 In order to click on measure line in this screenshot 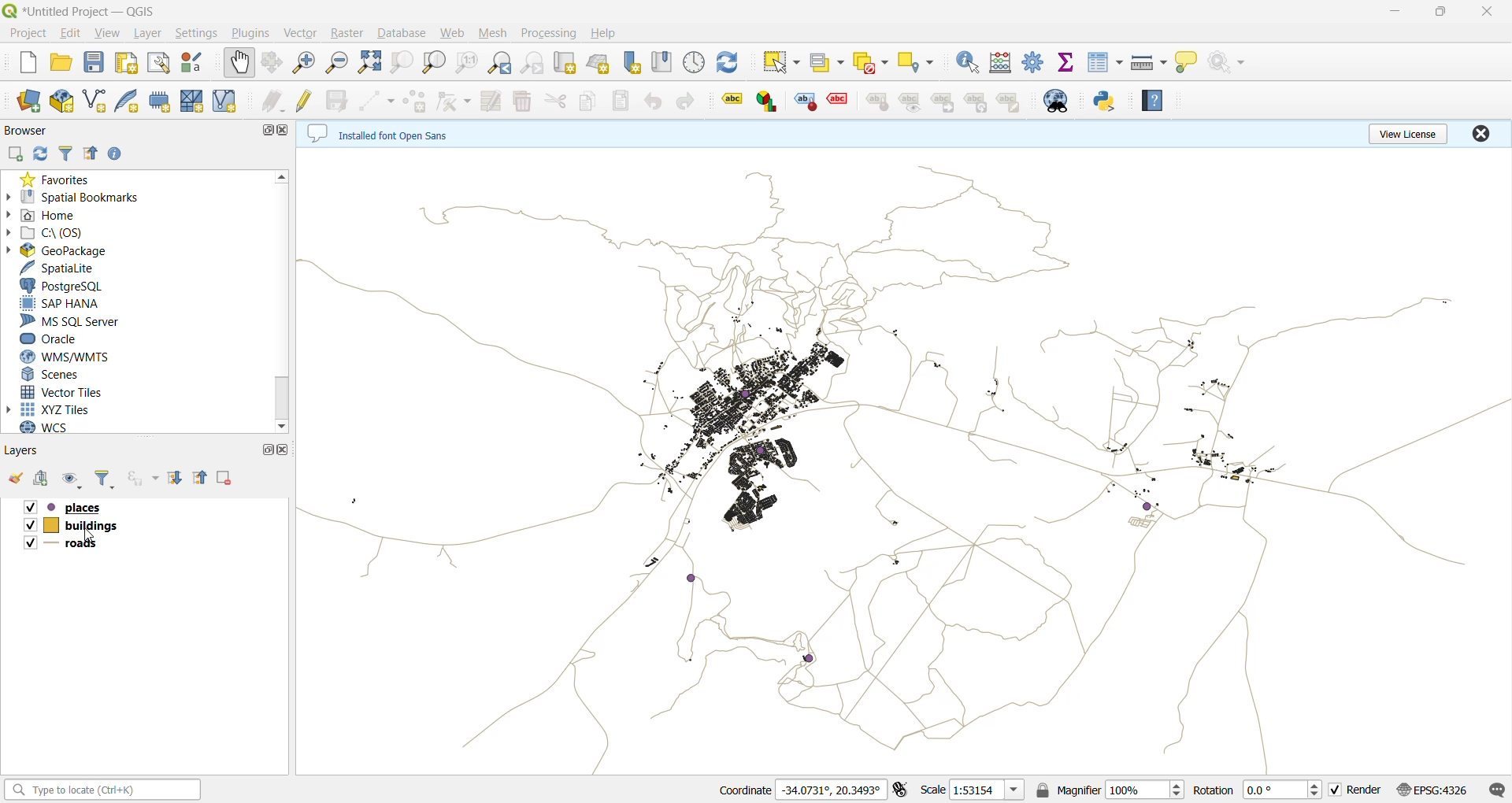, I will do `click(1151, 64)`.